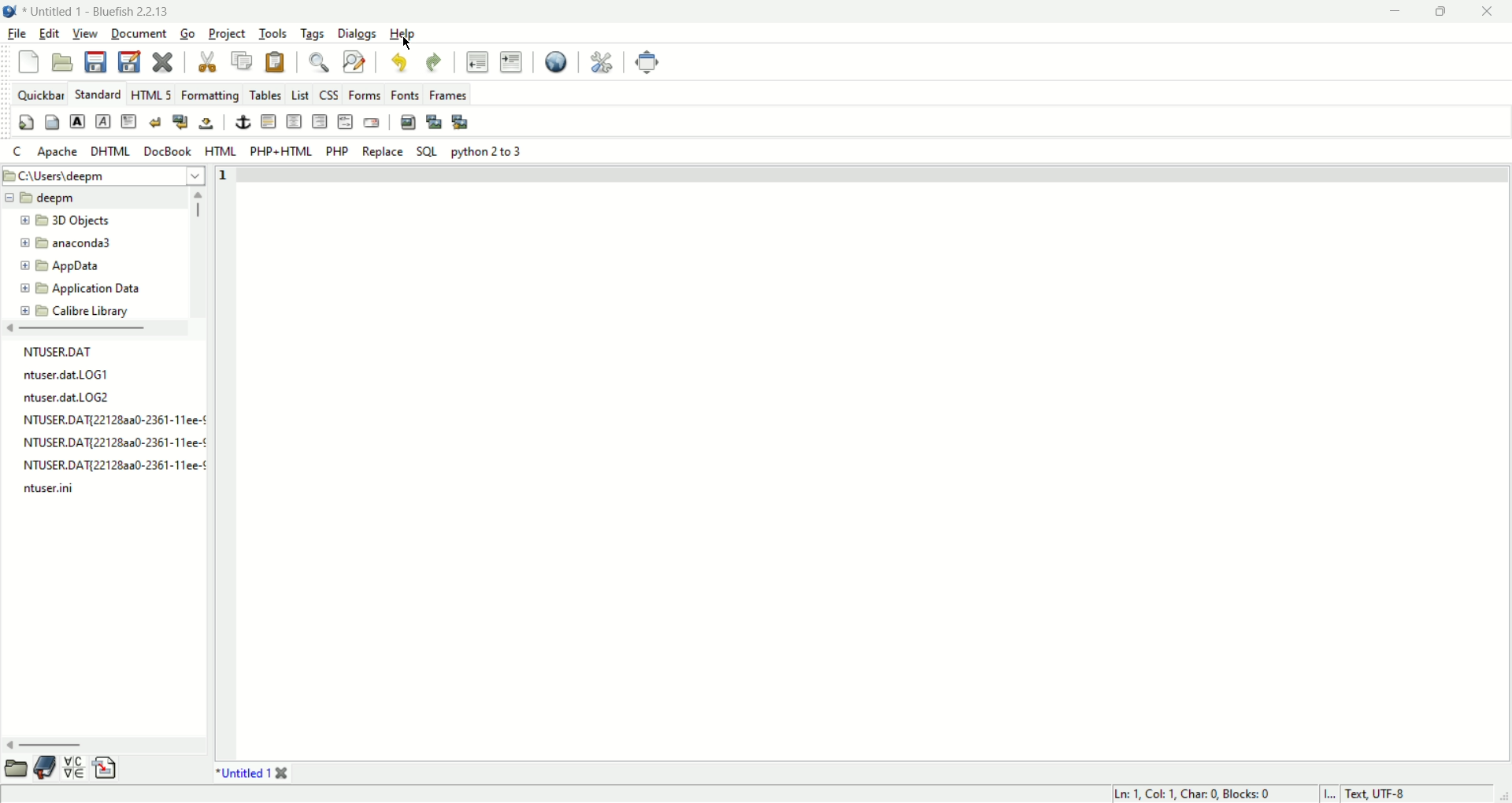  What do you see at coordinates (243, 123) in the screenshot?
I see `anchor` at bounding box center [243, 123].